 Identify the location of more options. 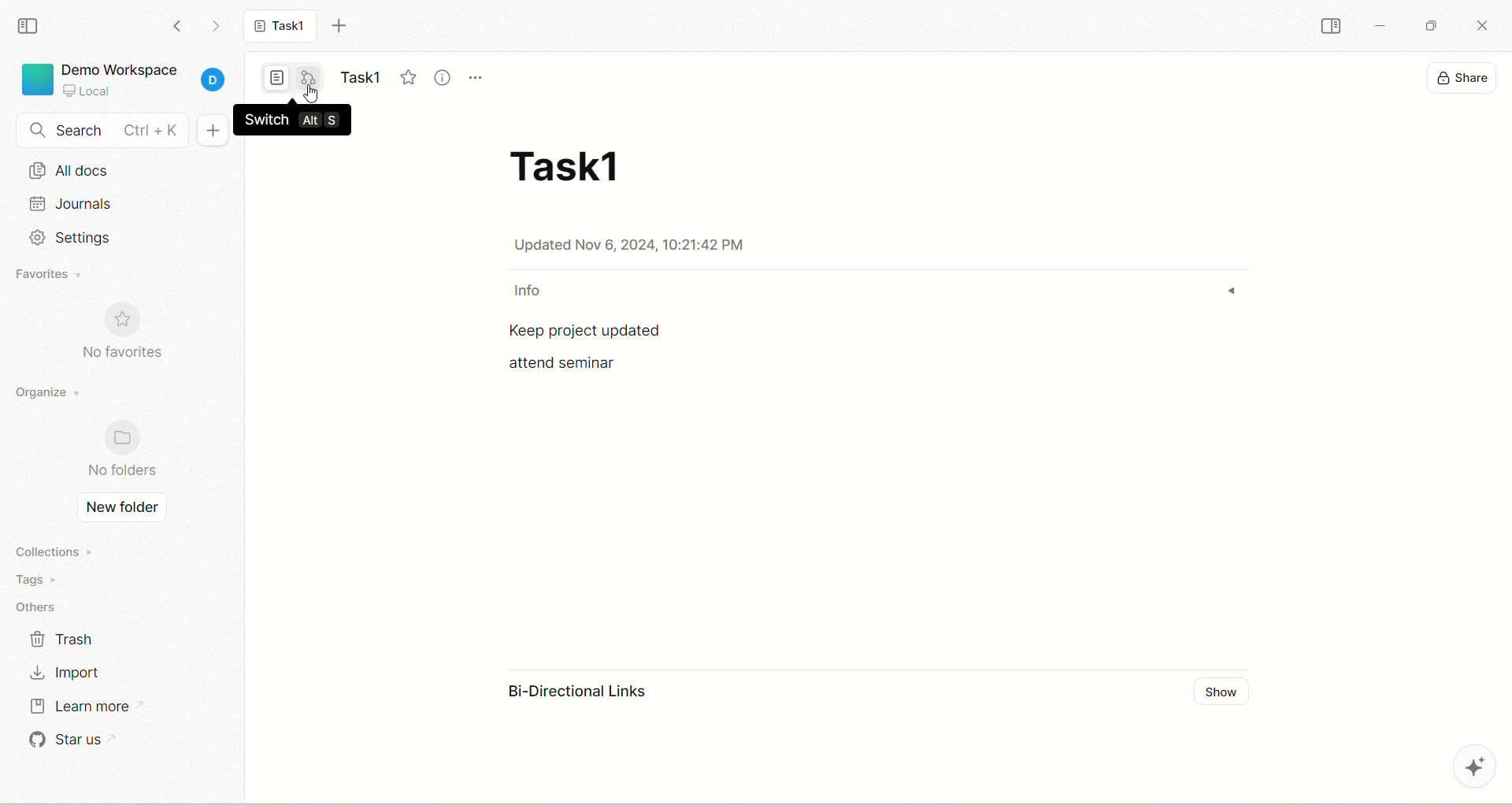
(480, 81).